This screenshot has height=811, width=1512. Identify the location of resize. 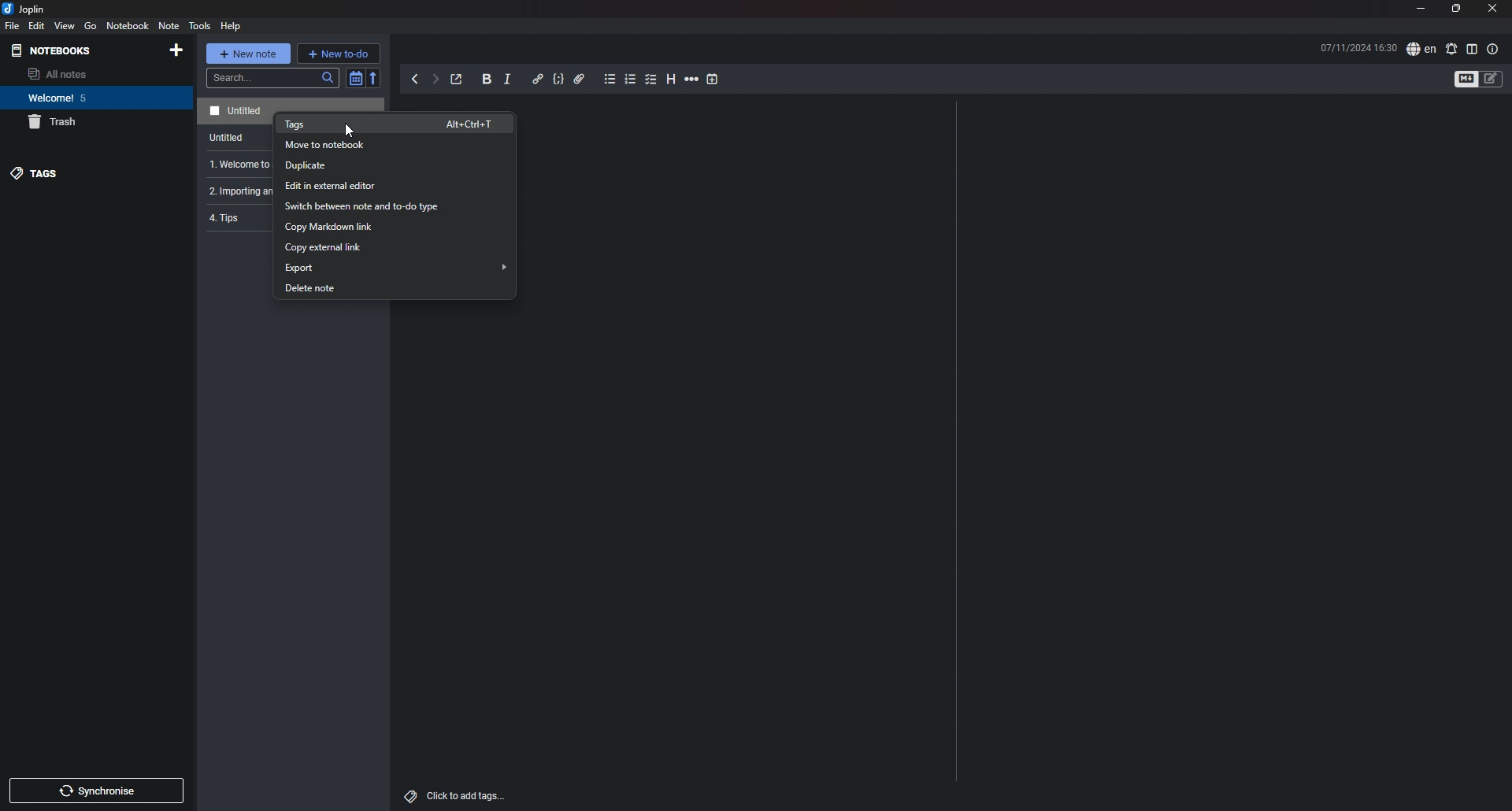
(1455, 9).